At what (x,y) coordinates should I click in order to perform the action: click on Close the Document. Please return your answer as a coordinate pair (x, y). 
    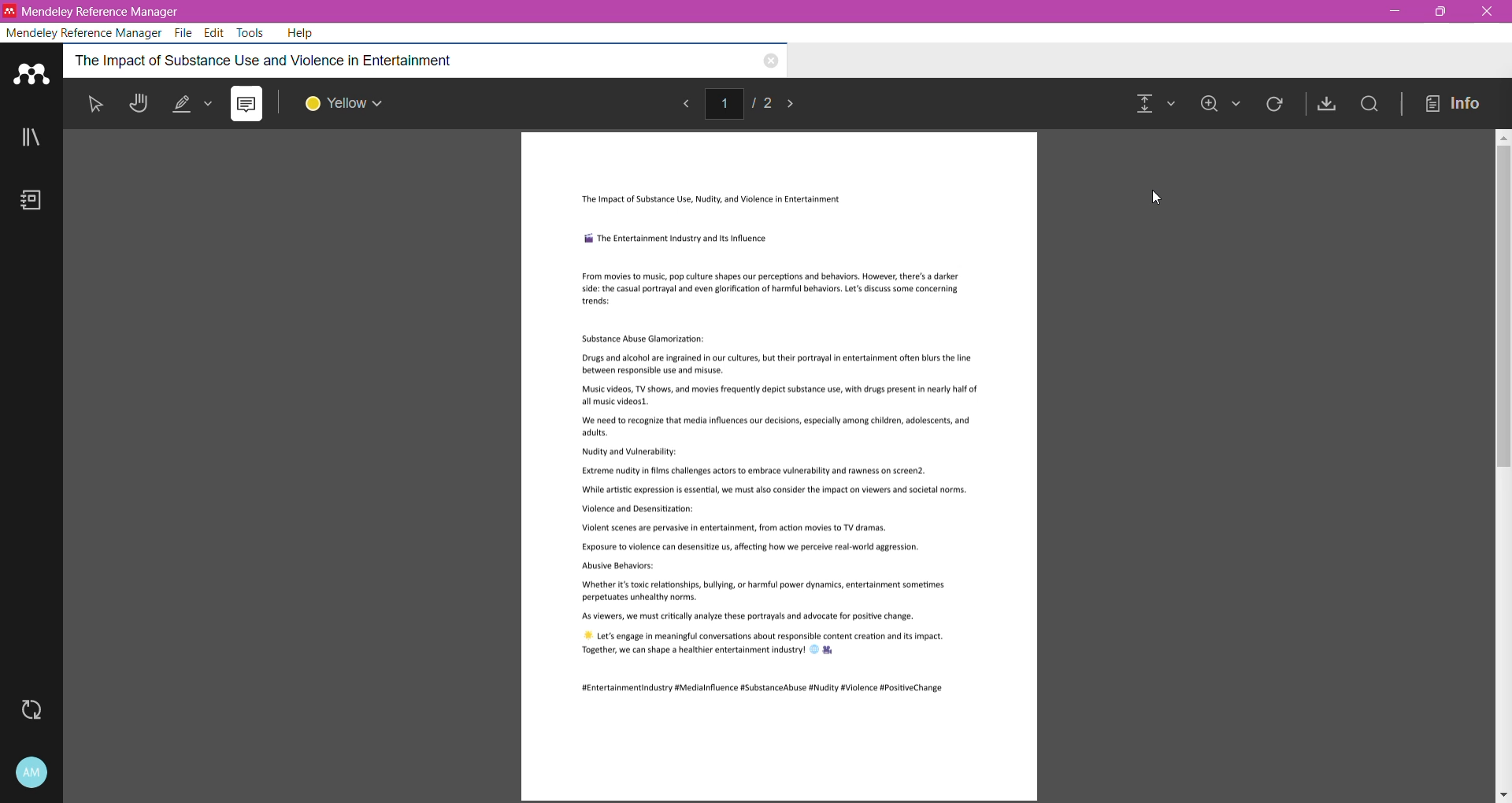
    Looking at the image, I should click on (770, 62).